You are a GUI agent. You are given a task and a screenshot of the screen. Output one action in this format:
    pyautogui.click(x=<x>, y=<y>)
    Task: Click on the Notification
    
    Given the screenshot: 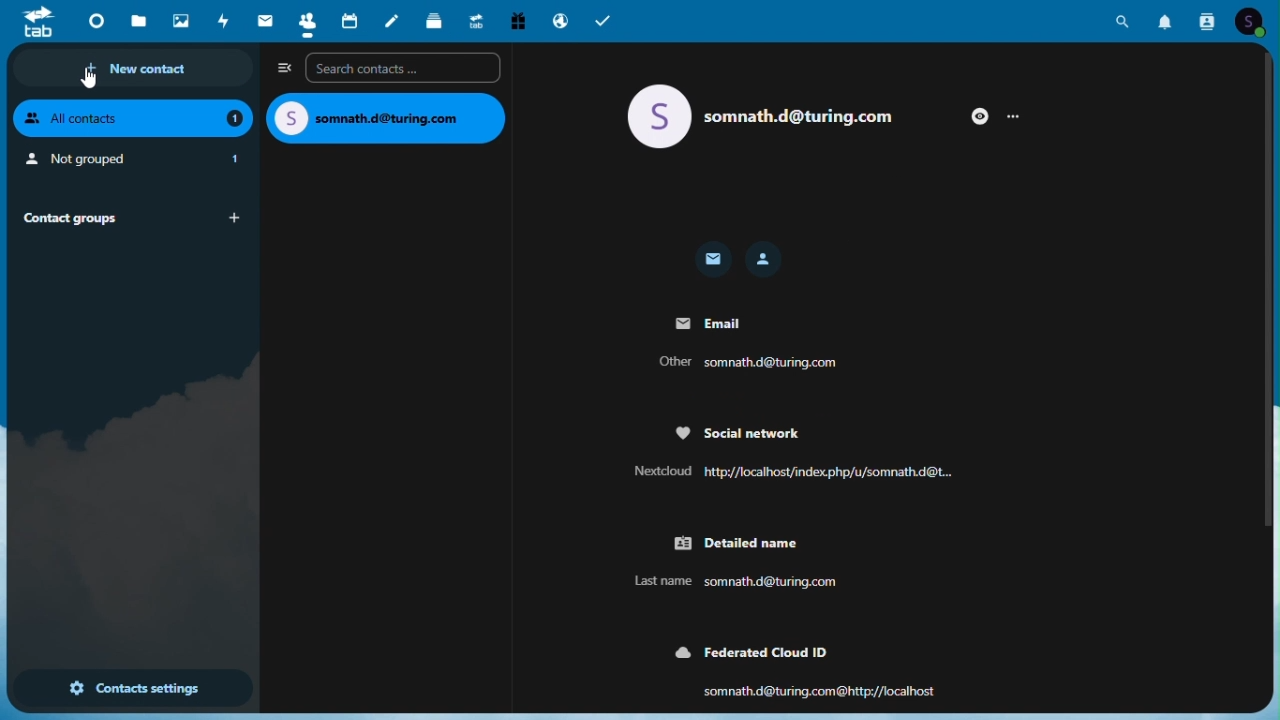 What is the action you would take?
    pyautogui.click(x=1166, y=24)
    